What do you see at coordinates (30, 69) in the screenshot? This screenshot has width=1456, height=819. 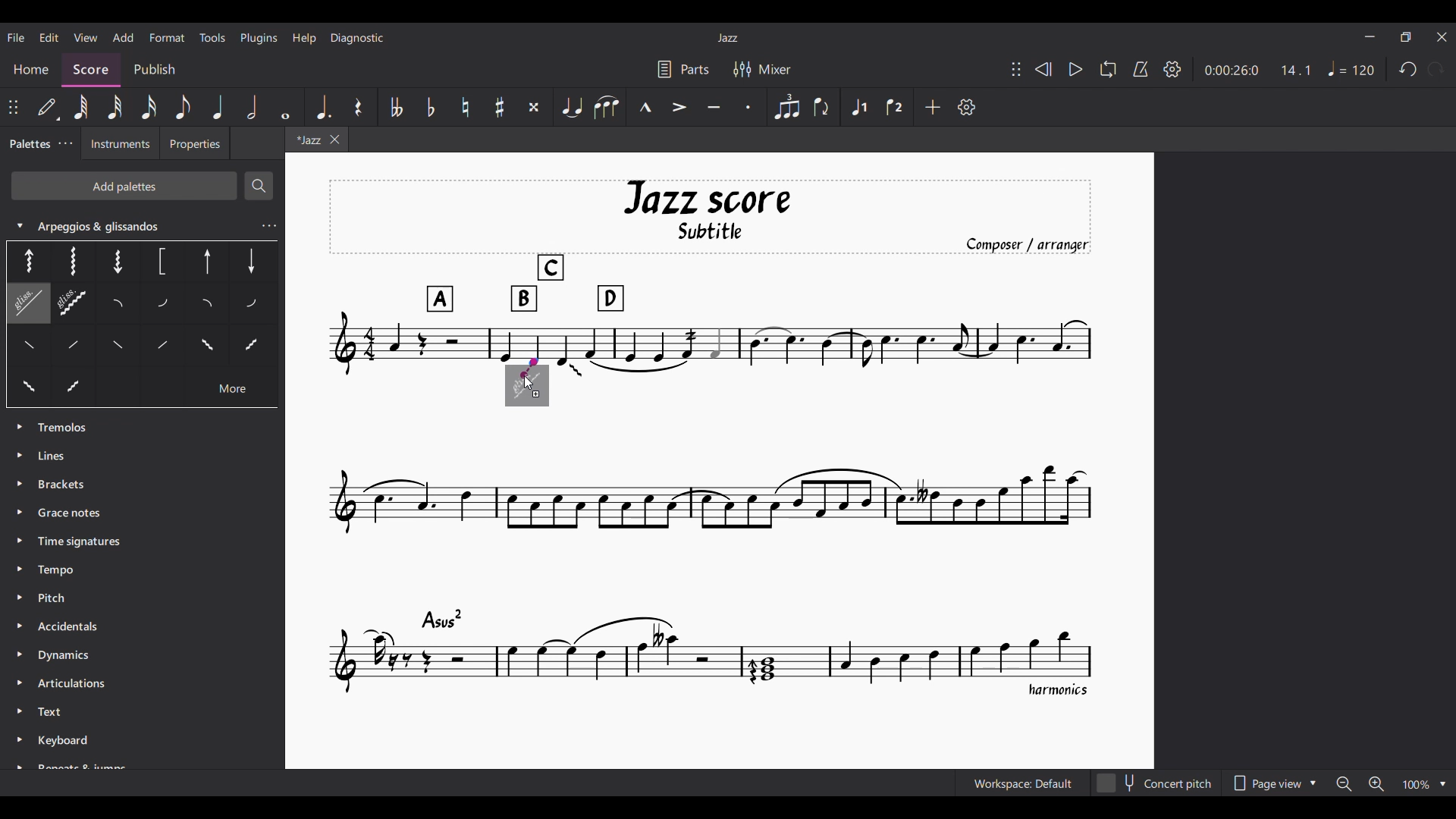 I see `Home` at bounding box center [30, 69].